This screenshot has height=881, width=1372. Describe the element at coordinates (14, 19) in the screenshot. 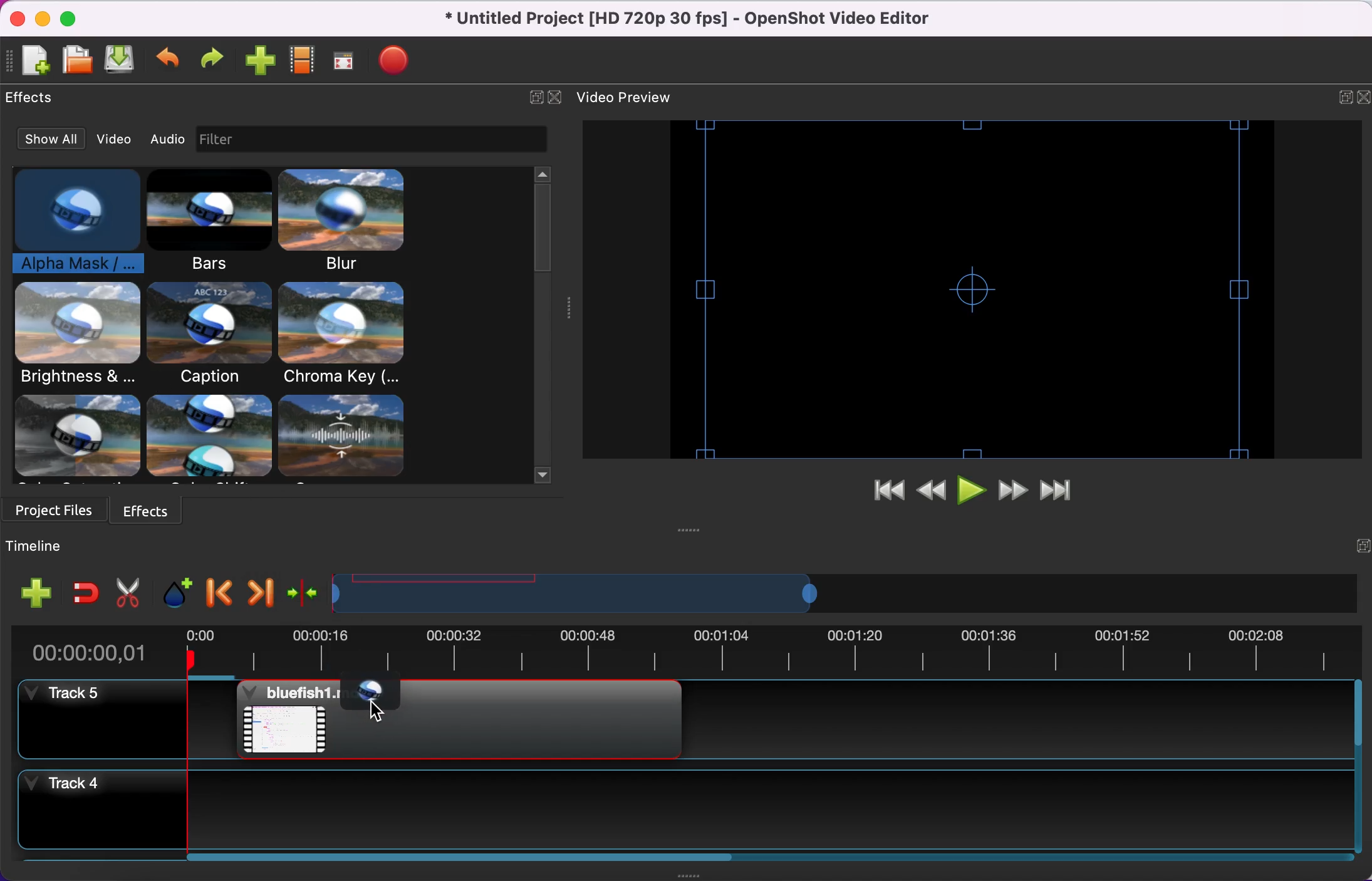

I see `close` at that location.